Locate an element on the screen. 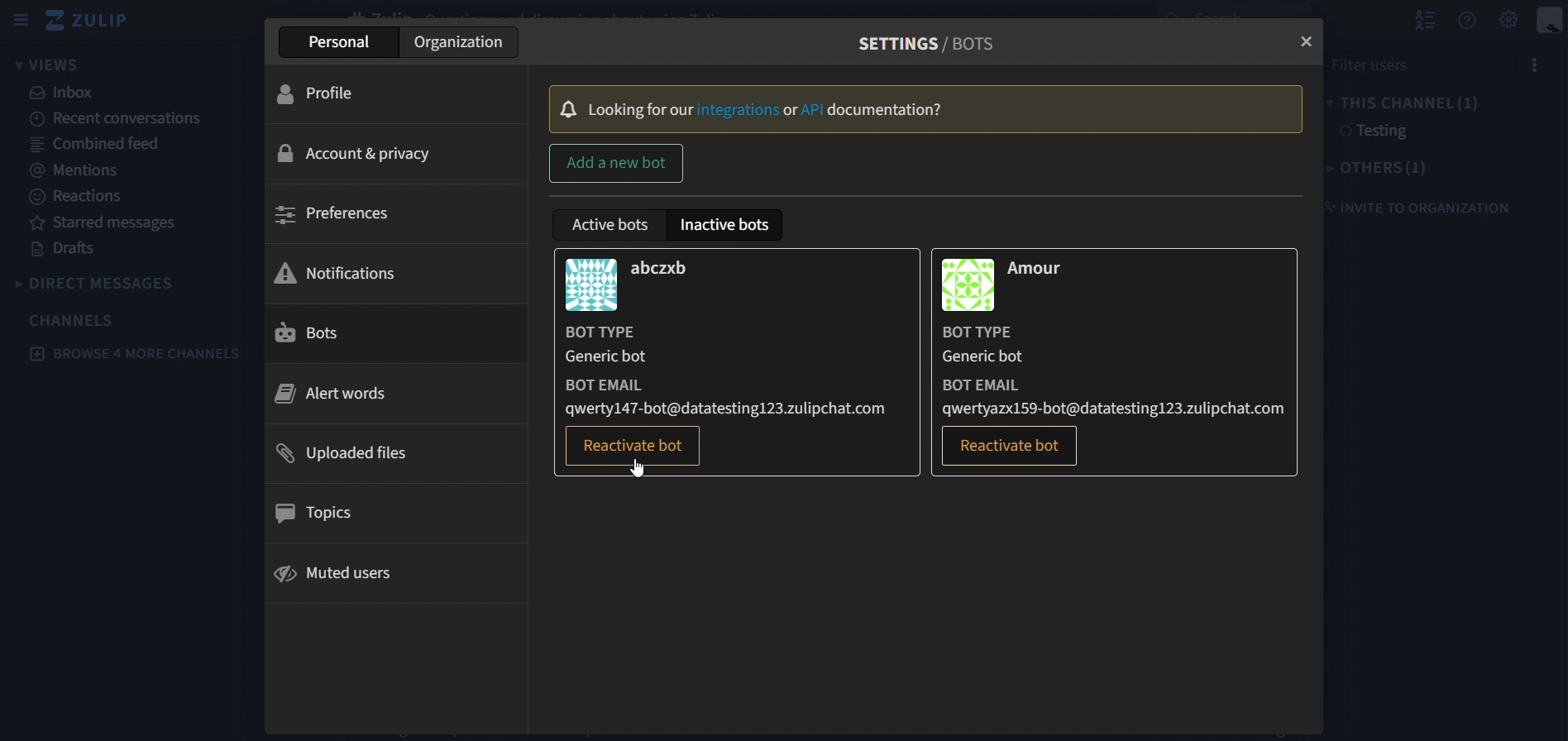 The image size is (1568, 741). muted users is located at coordinates (336, 576).